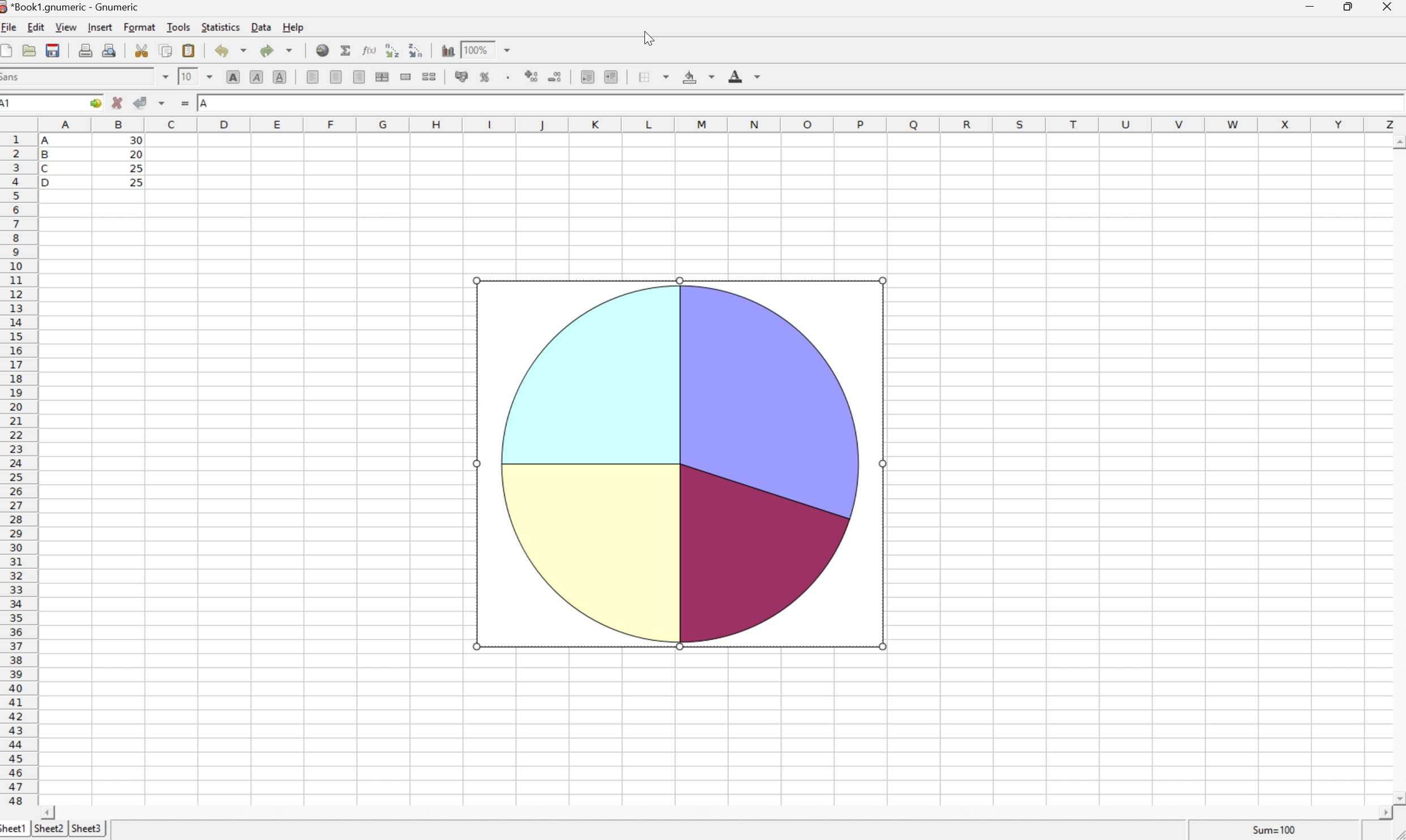  What do you see at coordinates (110, 49) in the screenshot?
I see `Print preview` at bounding box center [110, 49].